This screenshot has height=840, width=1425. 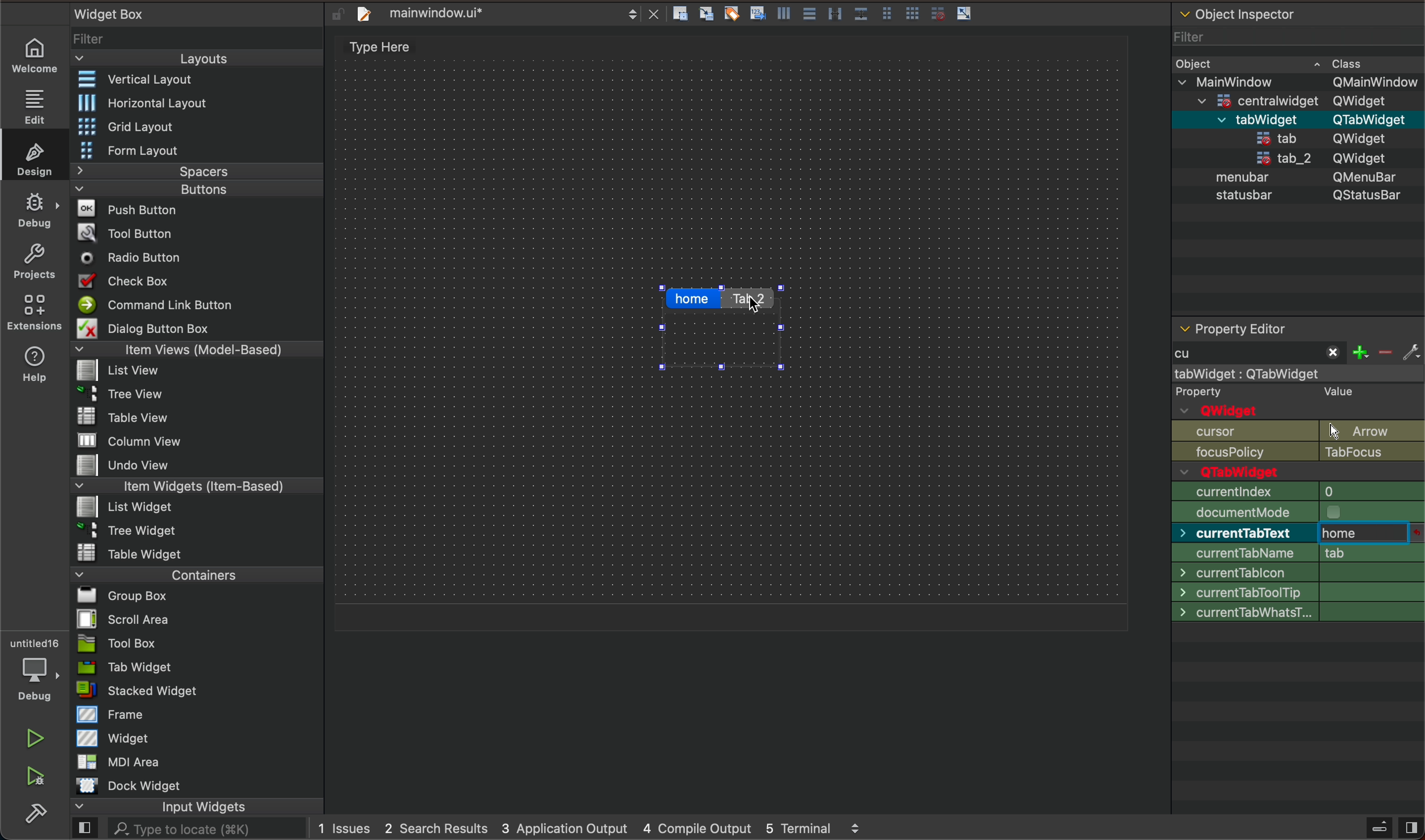 What do you see at coordinates (93, 37) in the screenshot?
I see `Filter` at bounding box center [93, 37].